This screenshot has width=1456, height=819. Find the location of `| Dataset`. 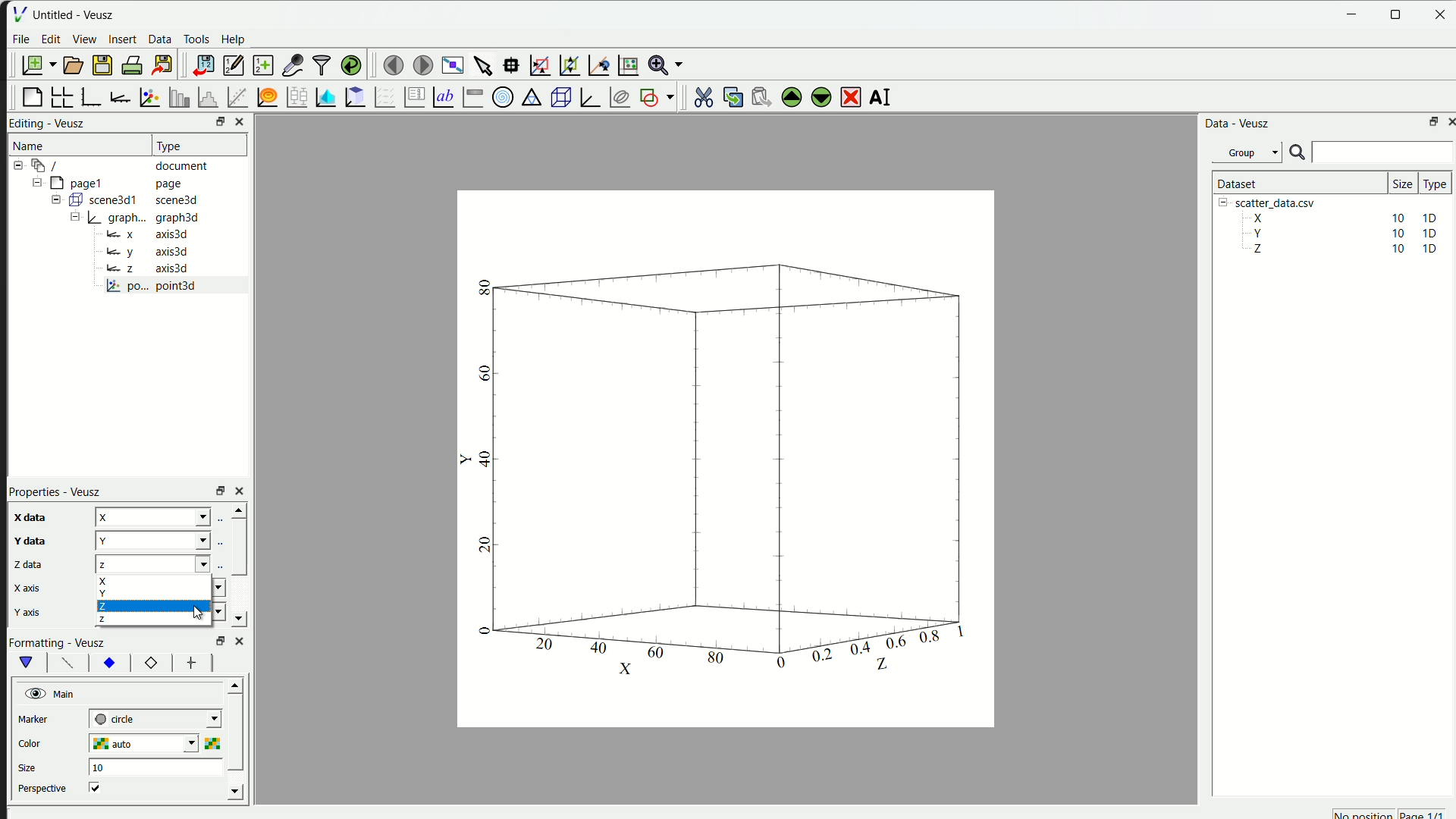

| Dataset is located at coordinates (1235, 184).